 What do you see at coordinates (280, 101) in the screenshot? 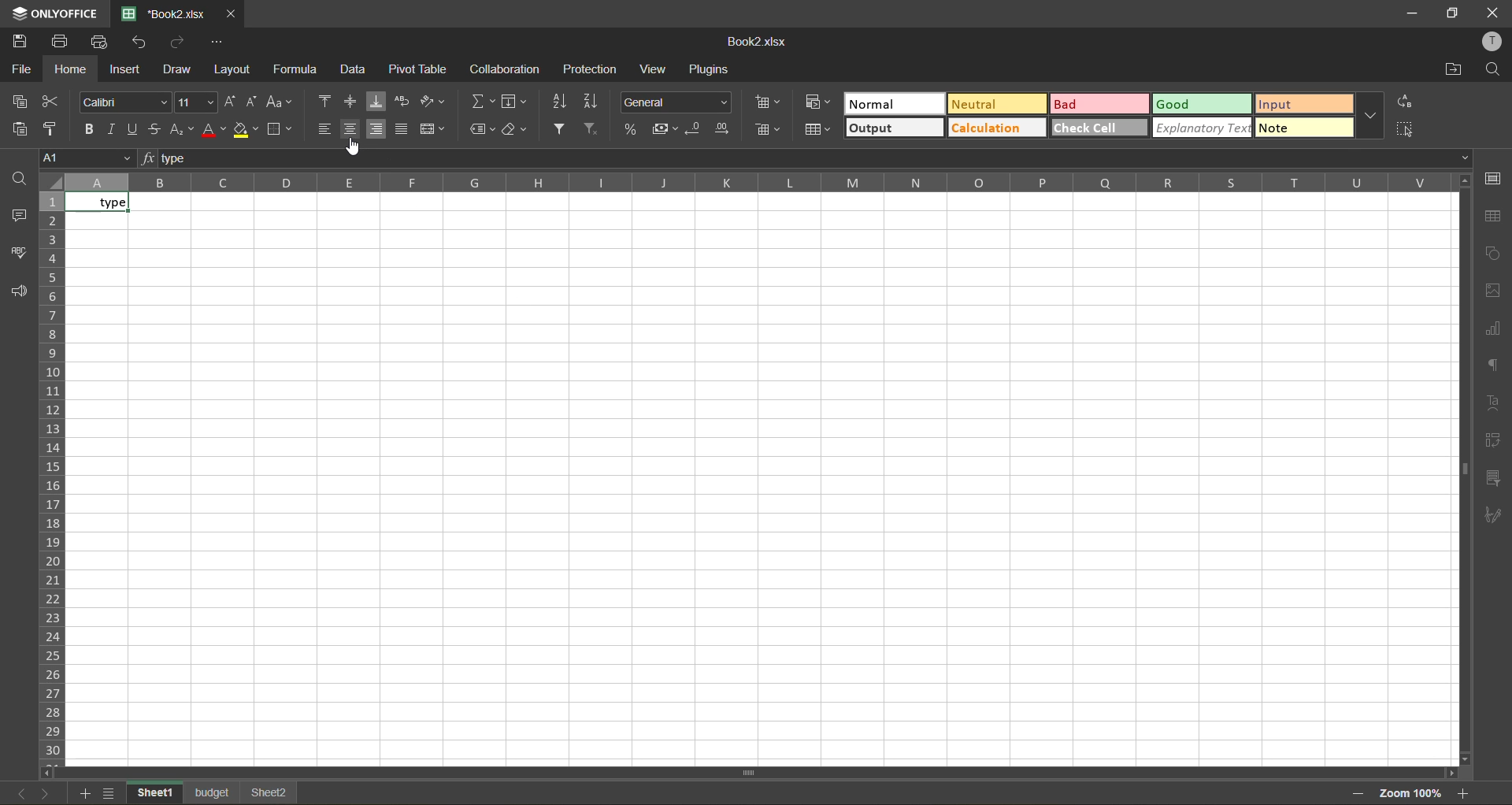
I see `change case` at bounding box center [280, 101].